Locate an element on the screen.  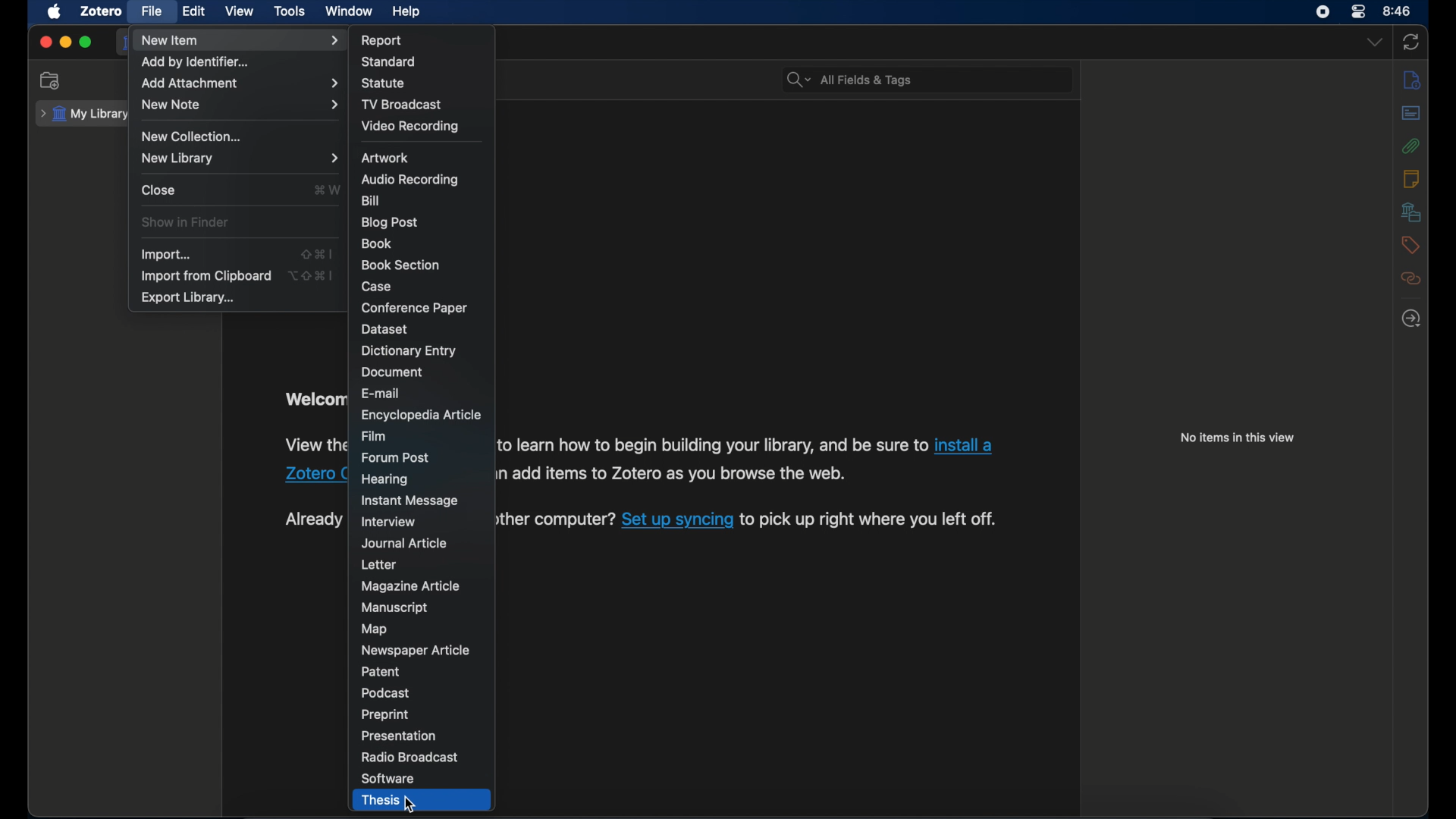
add attachment is located at coordinates (238, 83).